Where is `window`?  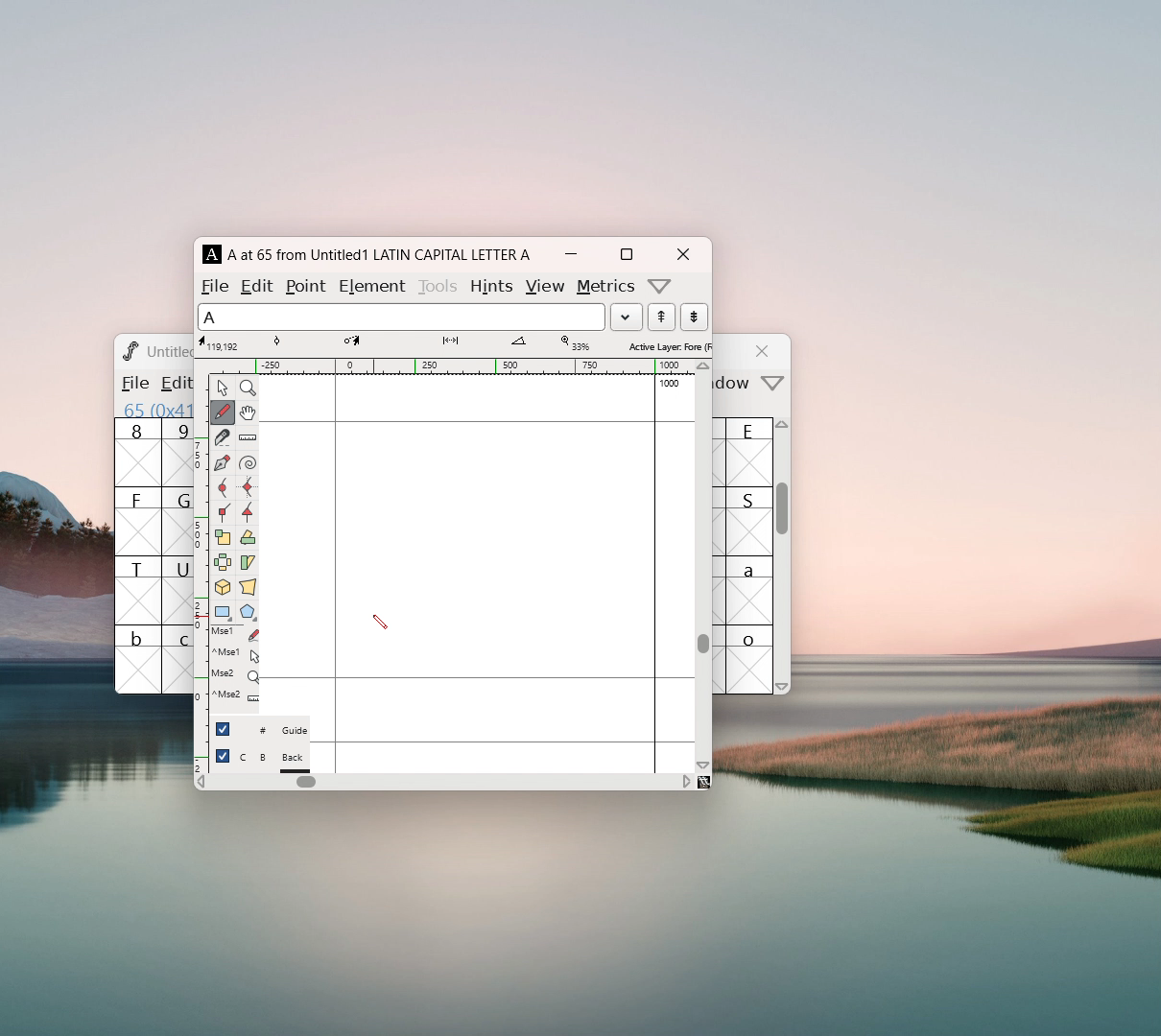 window is located at coordinates (735, 384).